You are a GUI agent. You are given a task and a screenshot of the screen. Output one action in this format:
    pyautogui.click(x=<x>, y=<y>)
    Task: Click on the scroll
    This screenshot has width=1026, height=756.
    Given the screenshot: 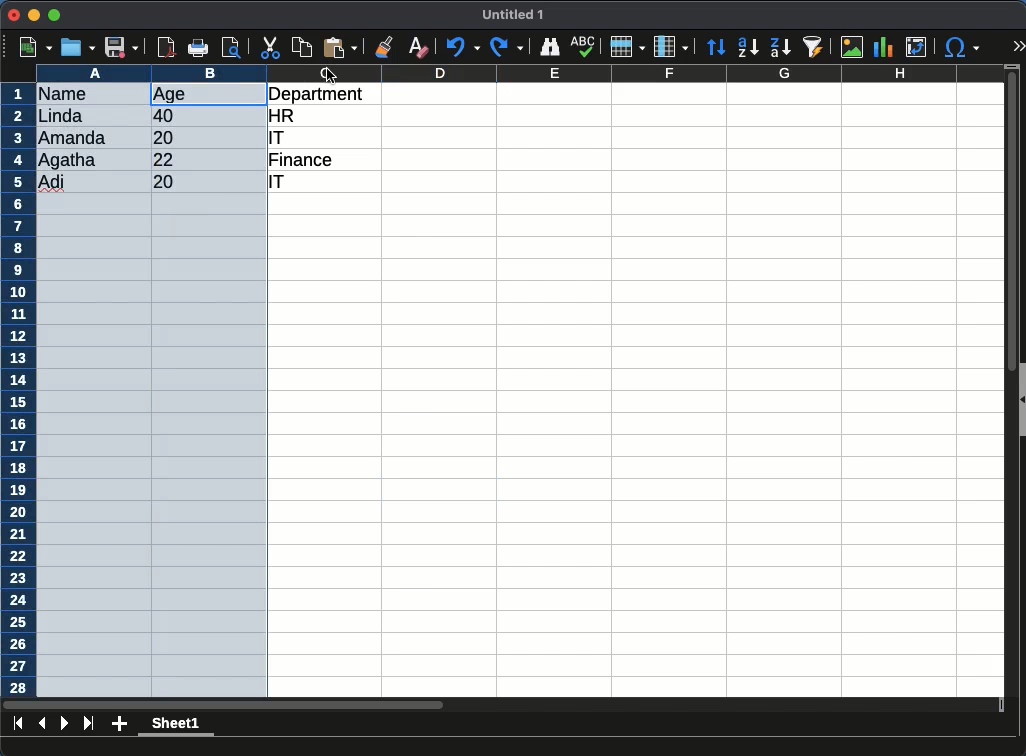 What is the action you would take?
    pyautogui.click(x=1004, y=386)
    